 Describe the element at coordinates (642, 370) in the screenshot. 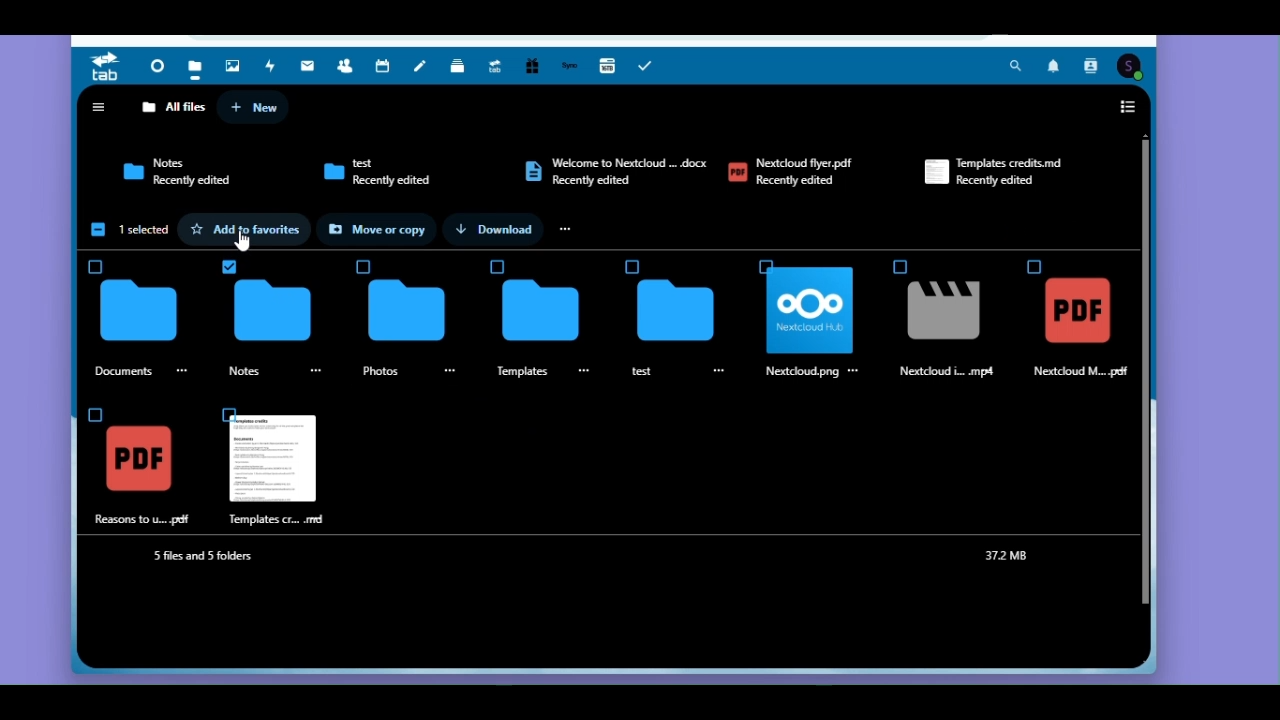

I see `Test` at that location.